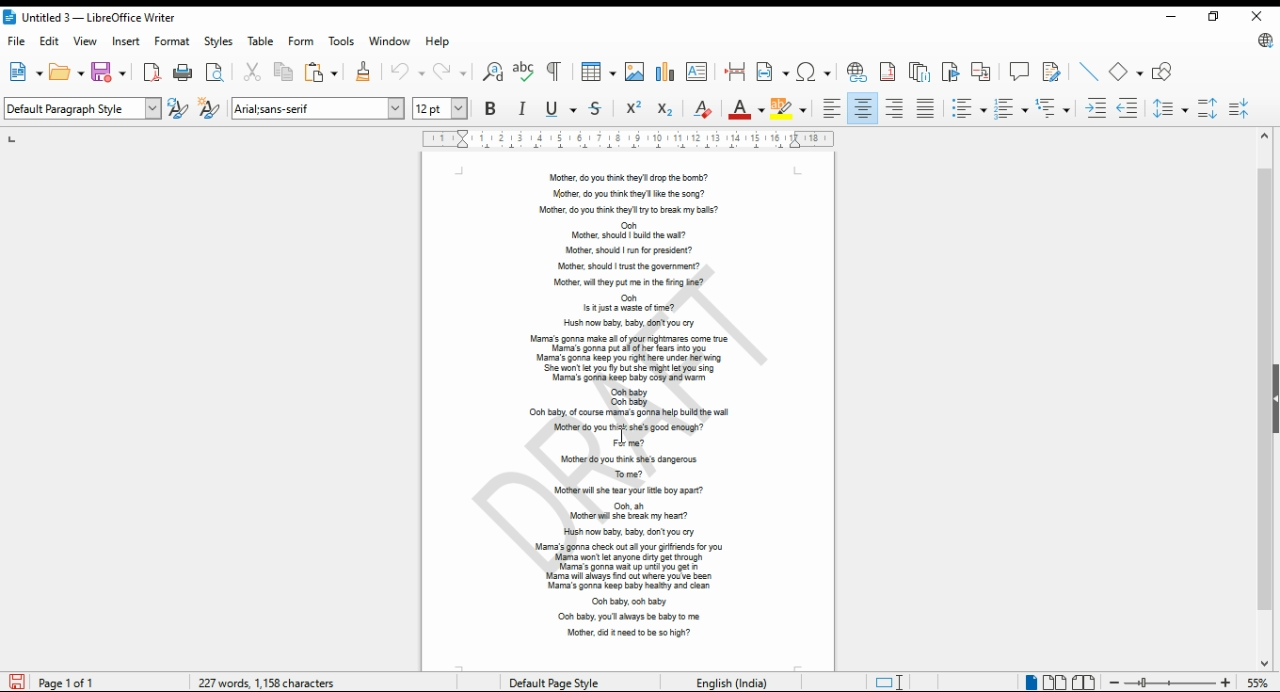 Image resolution: width=1280 pixels, height=692 pixels. What do you see at coordinates (773, 72) in the screenshot?
I see `insert field` at bounding box center [773, 72].